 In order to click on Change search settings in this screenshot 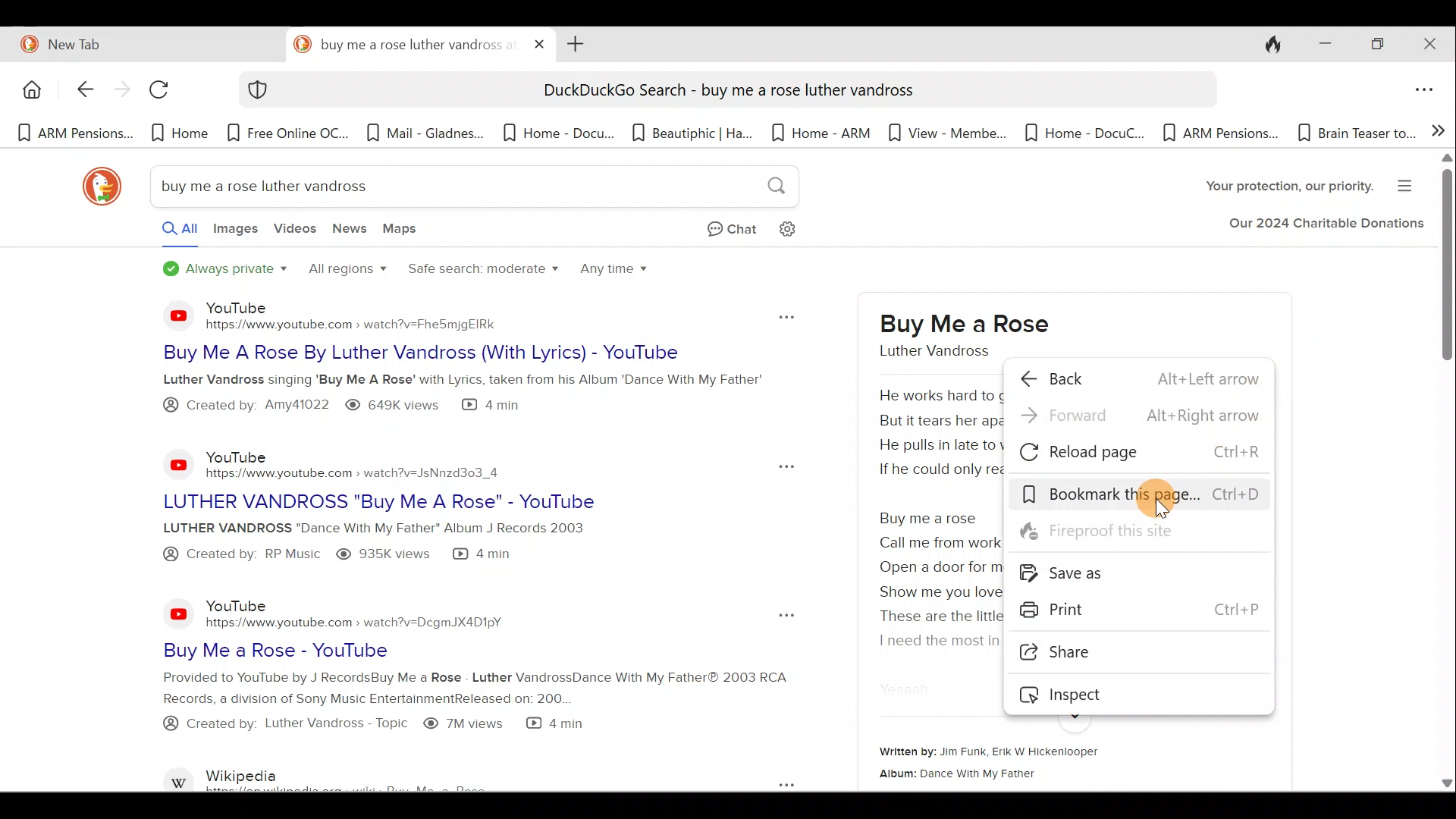, I will do `click(800, 227)`.